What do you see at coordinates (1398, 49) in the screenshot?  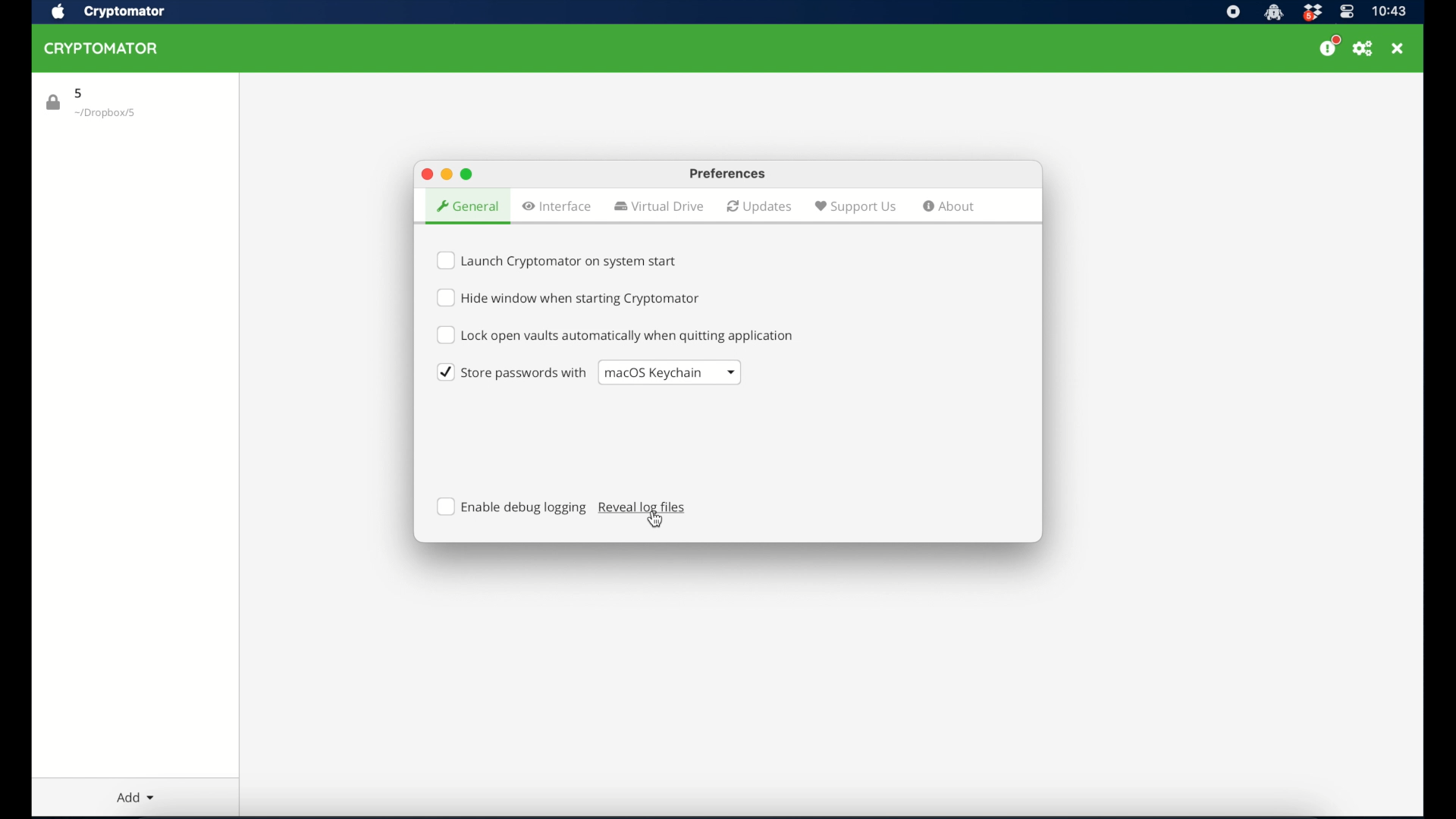 I see `close` at bounding box center [1398, 49].